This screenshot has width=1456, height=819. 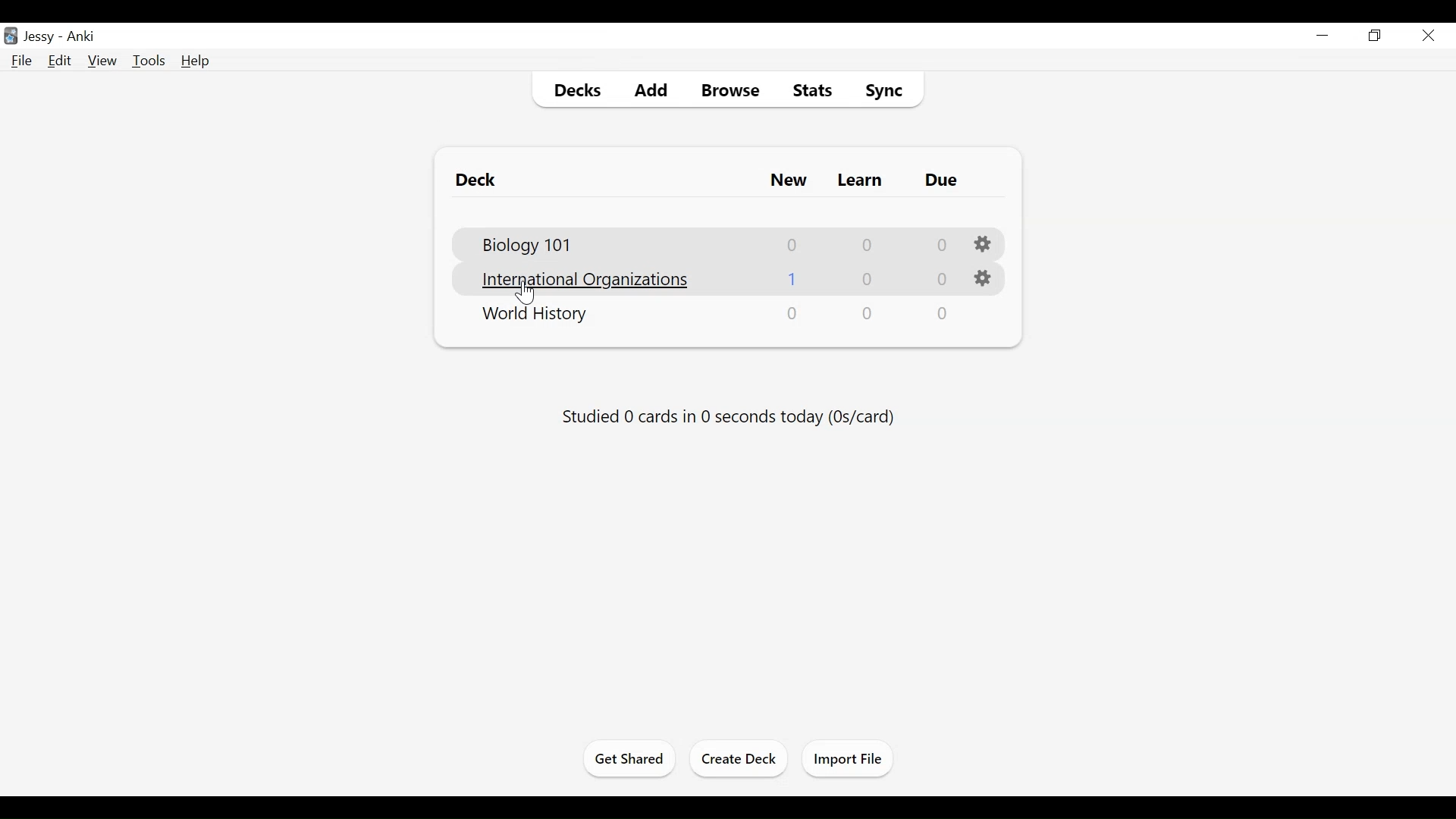 I want to click on Deck, so click(x=480, y=179).